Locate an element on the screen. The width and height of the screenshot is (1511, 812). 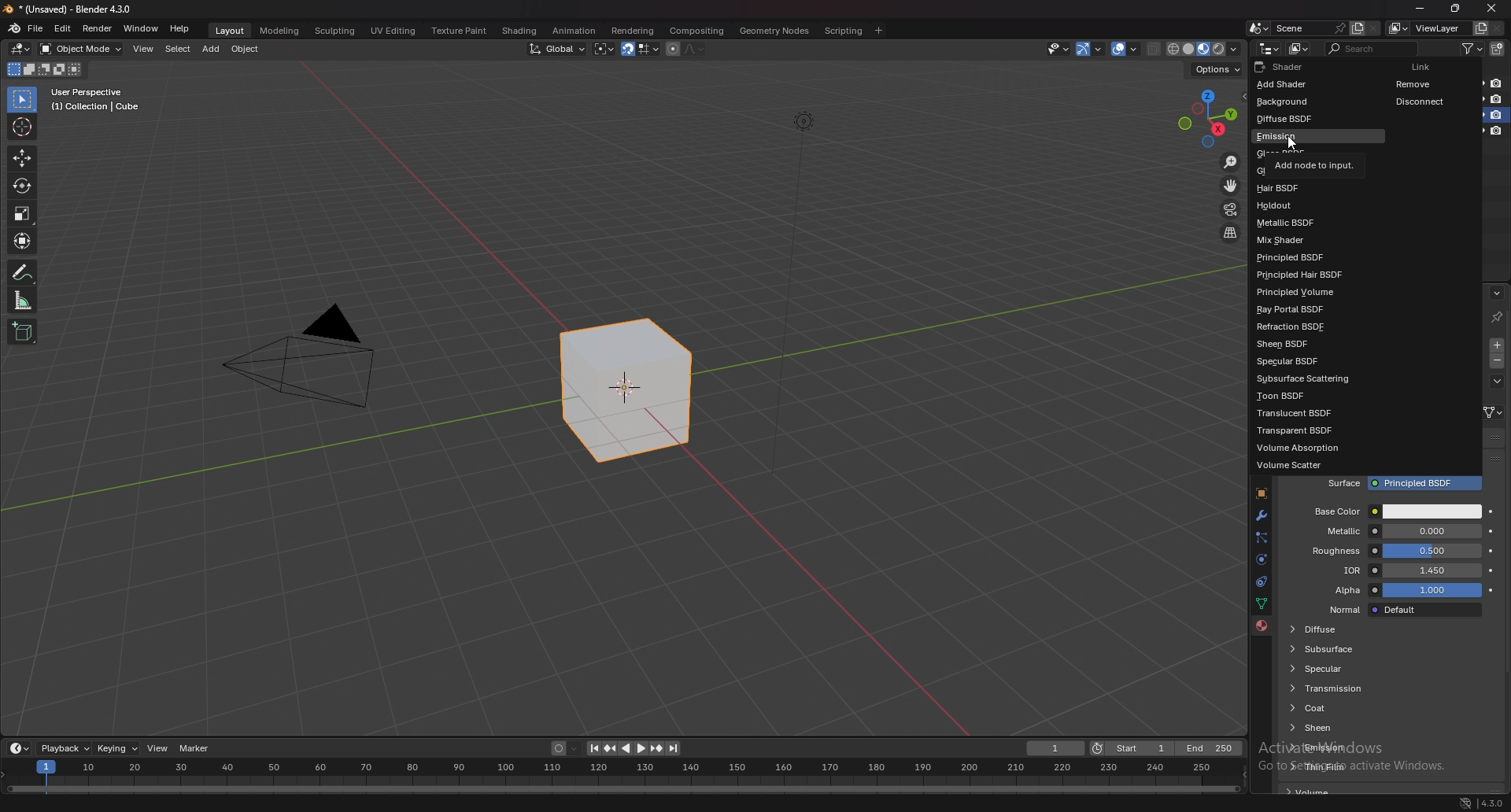
jump to keyframe is located at coordinates (657, 748).